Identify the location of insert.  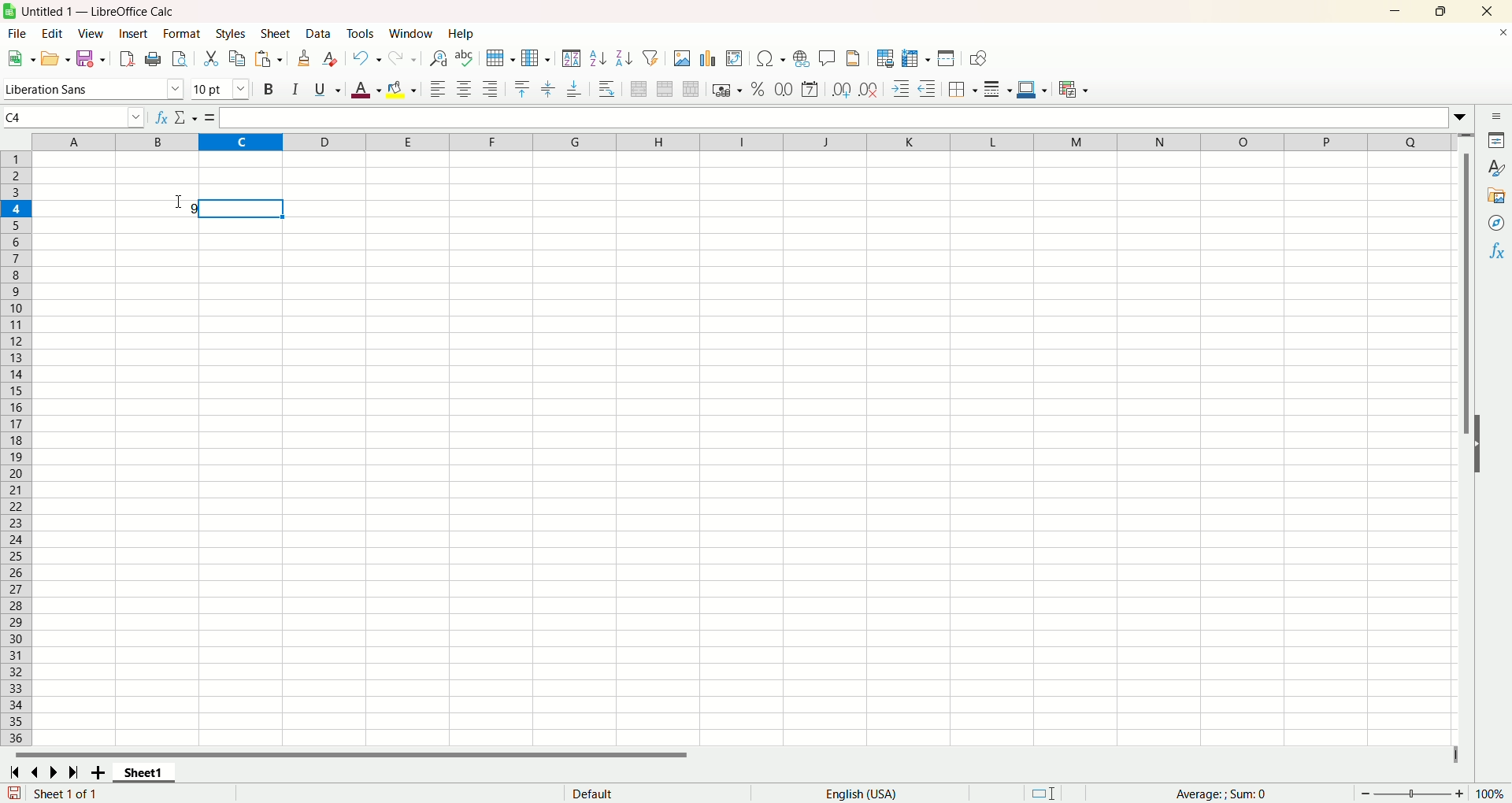
(134, 34).